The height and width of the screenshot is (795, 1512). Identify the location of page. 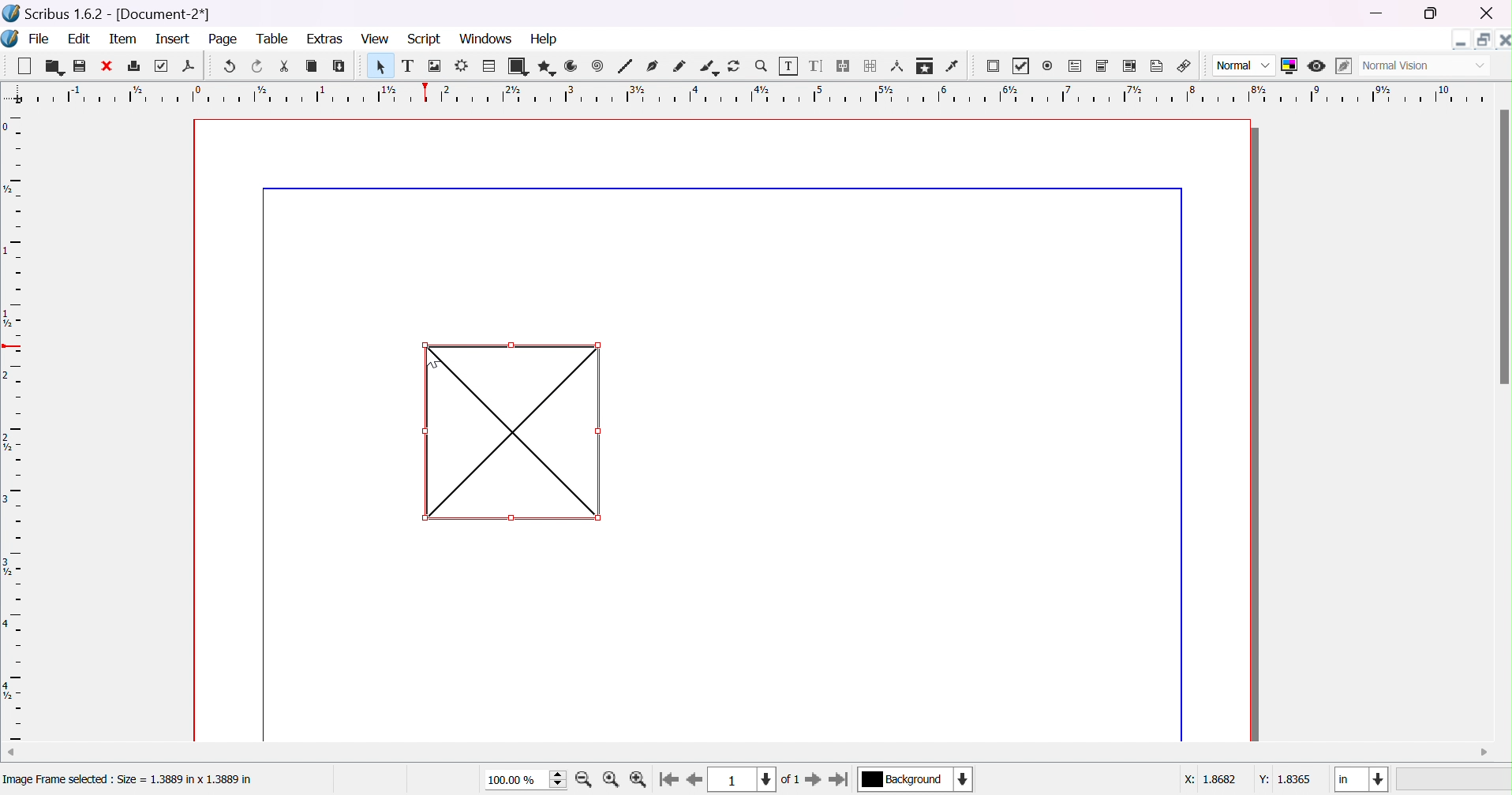
(226, 40).